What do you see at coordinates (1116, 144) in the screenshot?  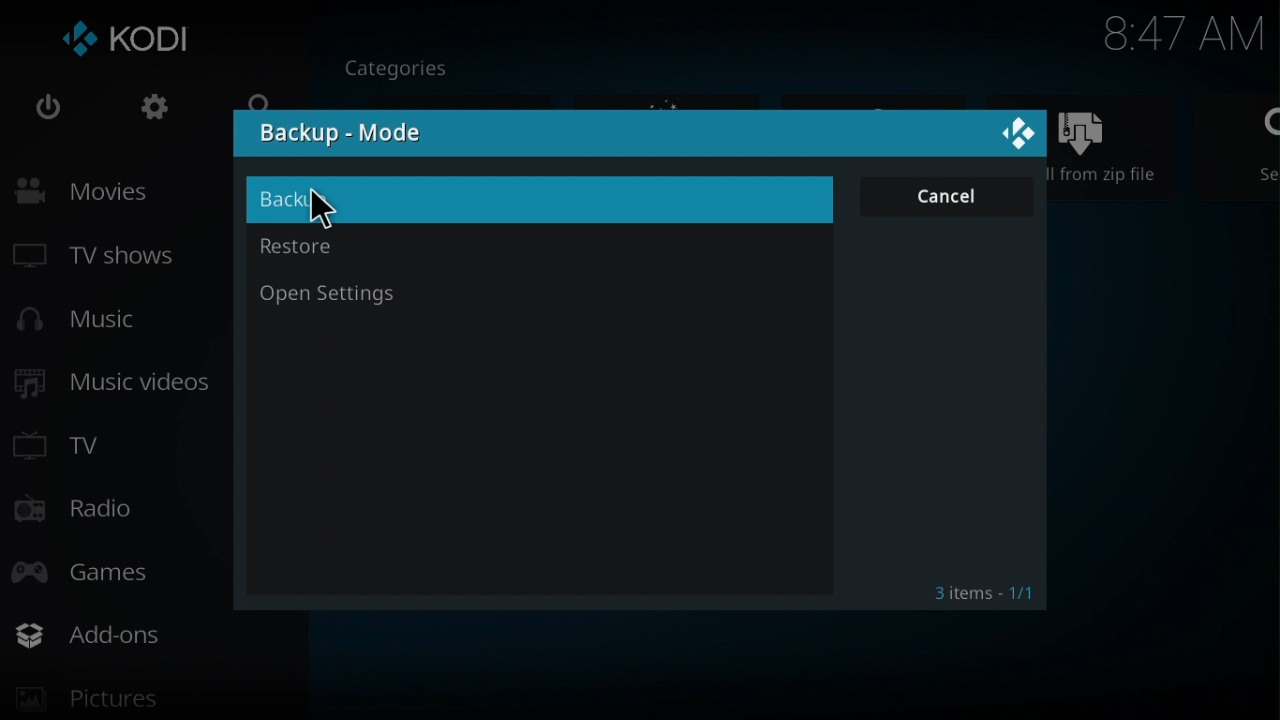 I see `Install from zip file` at bounding box center [1116, 144].